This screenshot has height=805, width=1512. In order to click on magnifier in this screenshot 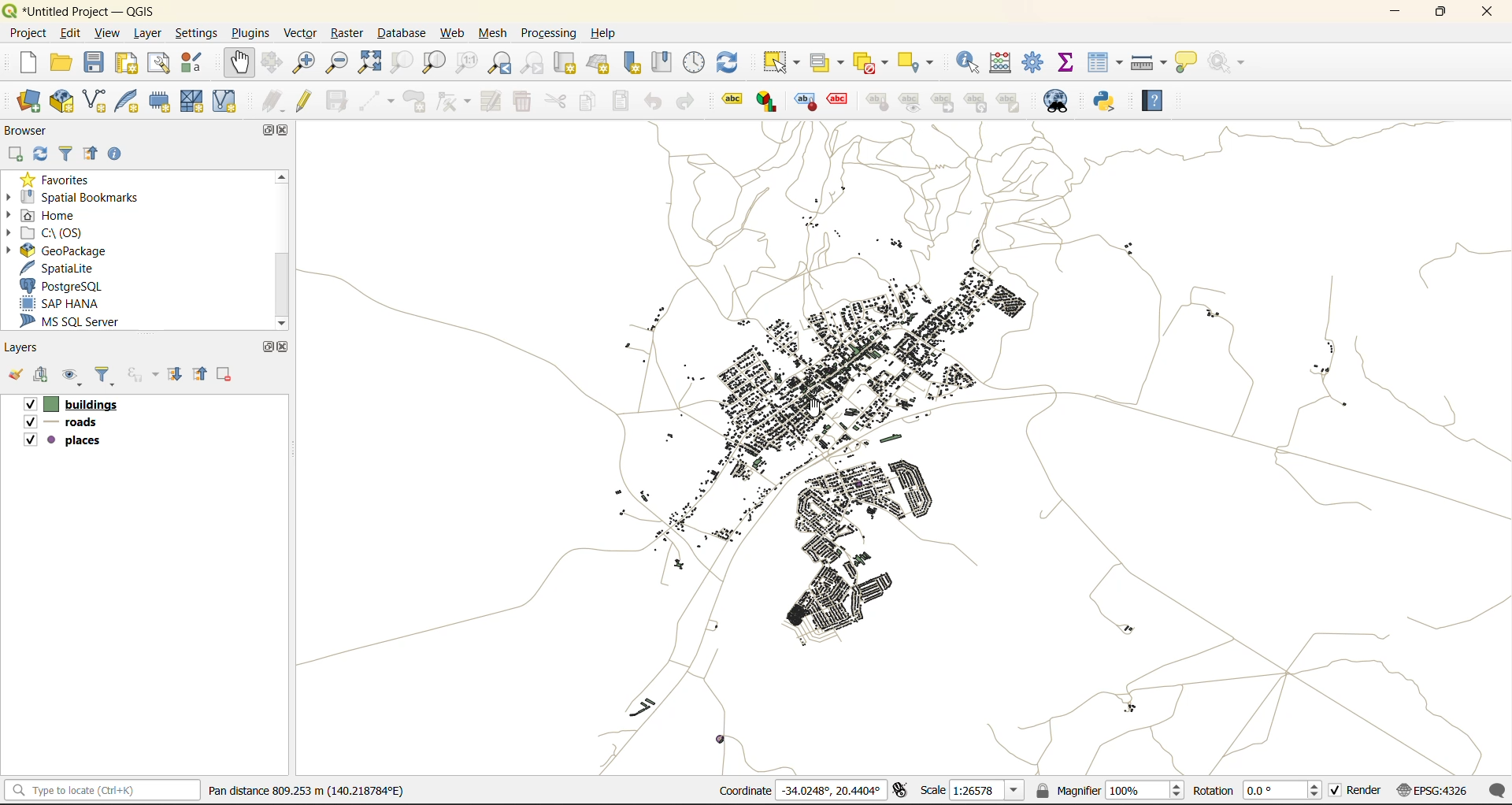, I will do `click(1110, 792)`.